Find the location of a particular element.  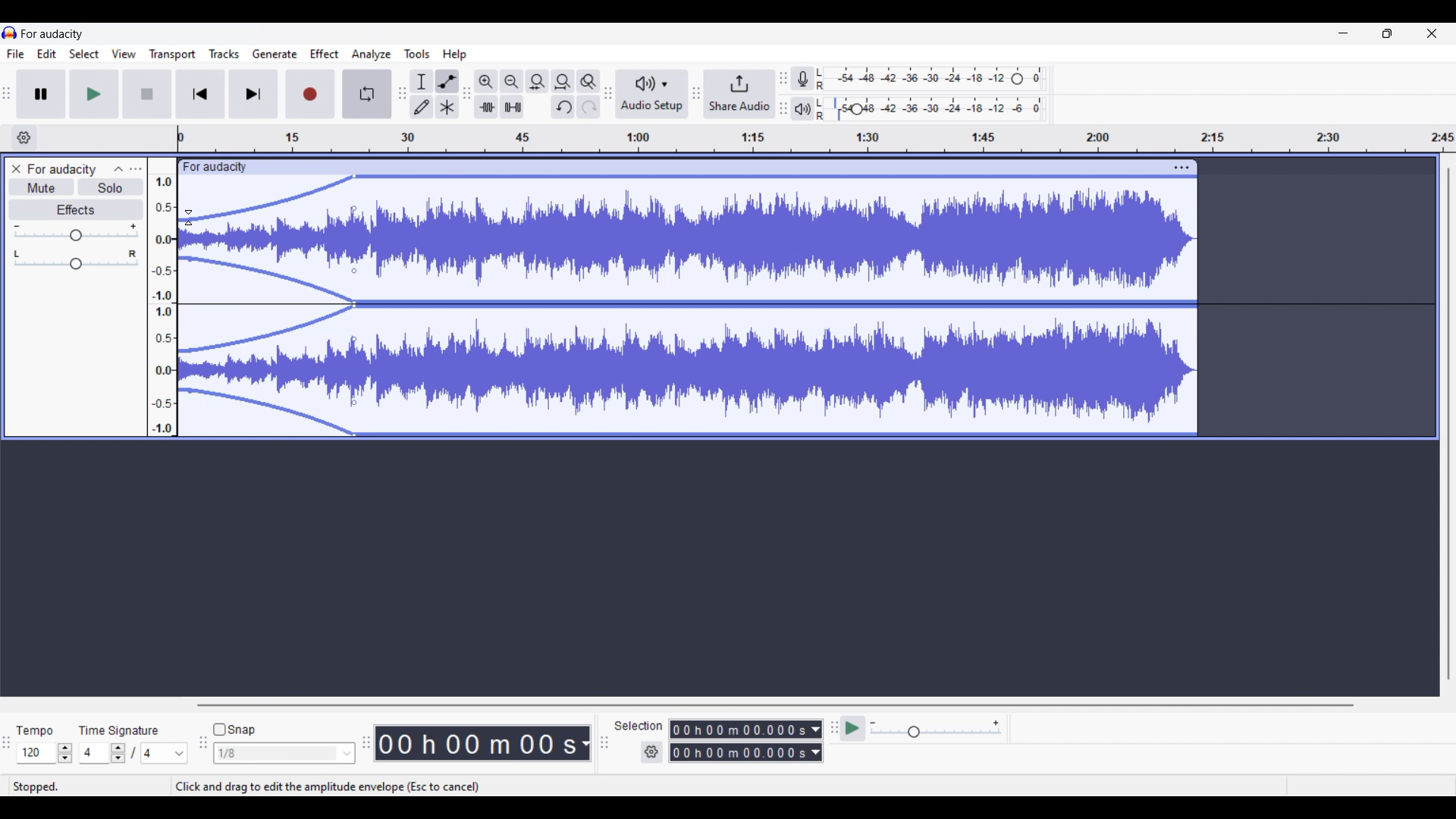

Volume slider is located at coordinates (77, 233).